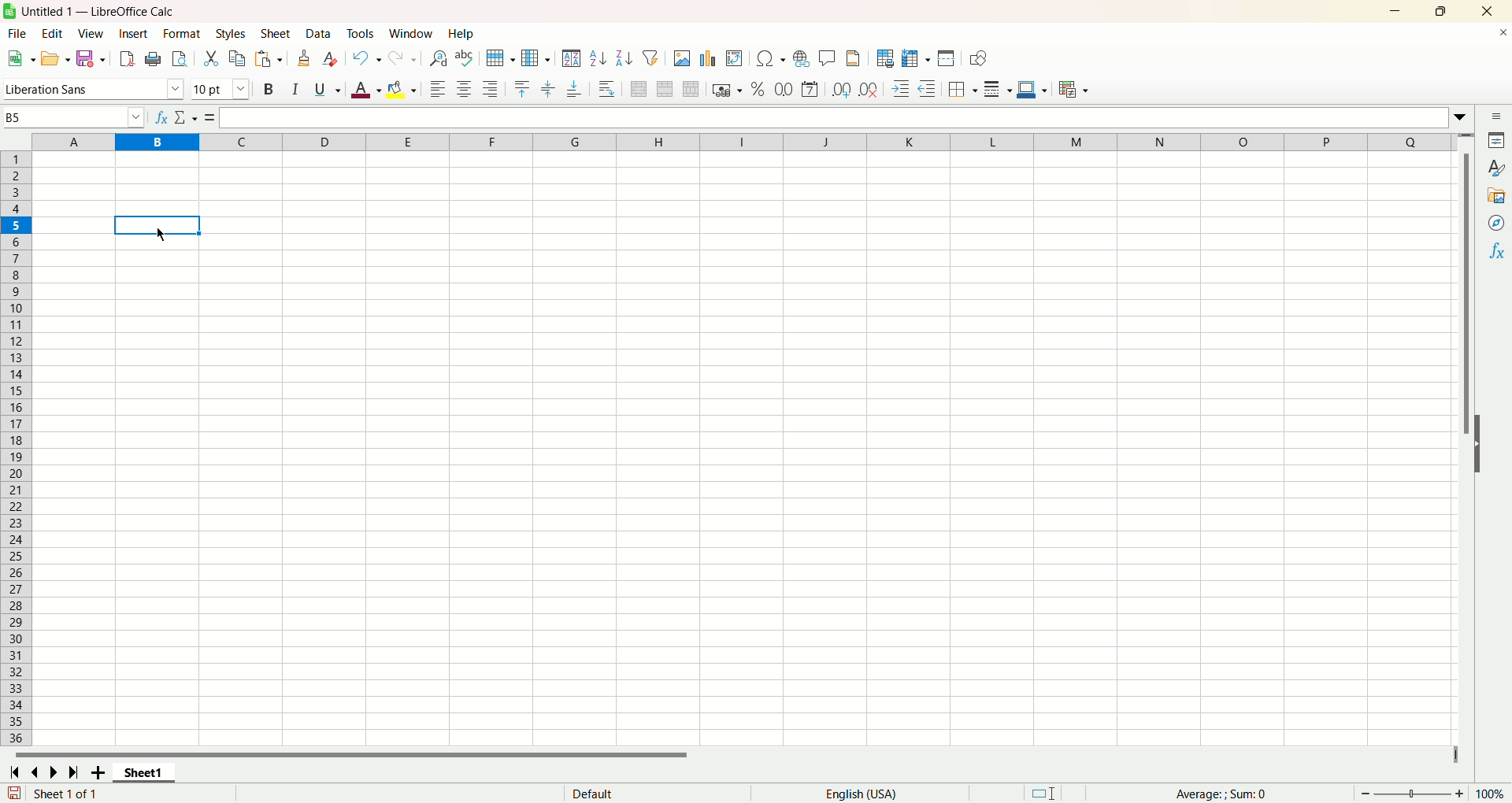 This screenshot has height=803, width=1512. I want to click on freeze rows and column, so click(915, 59).